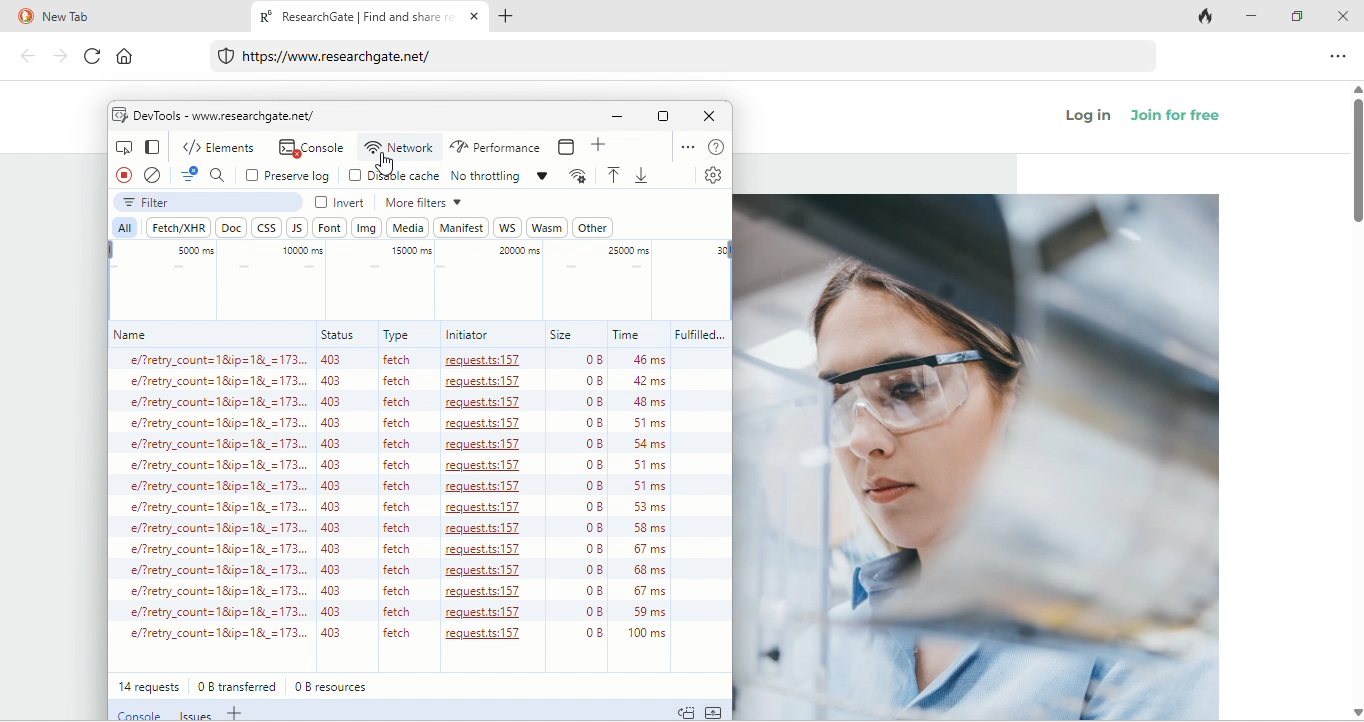 The image size is (1364, 722). What do you see at coordinates (382, 166) in the screenshot?
I see `cursor` at bounding box center [382, 166].